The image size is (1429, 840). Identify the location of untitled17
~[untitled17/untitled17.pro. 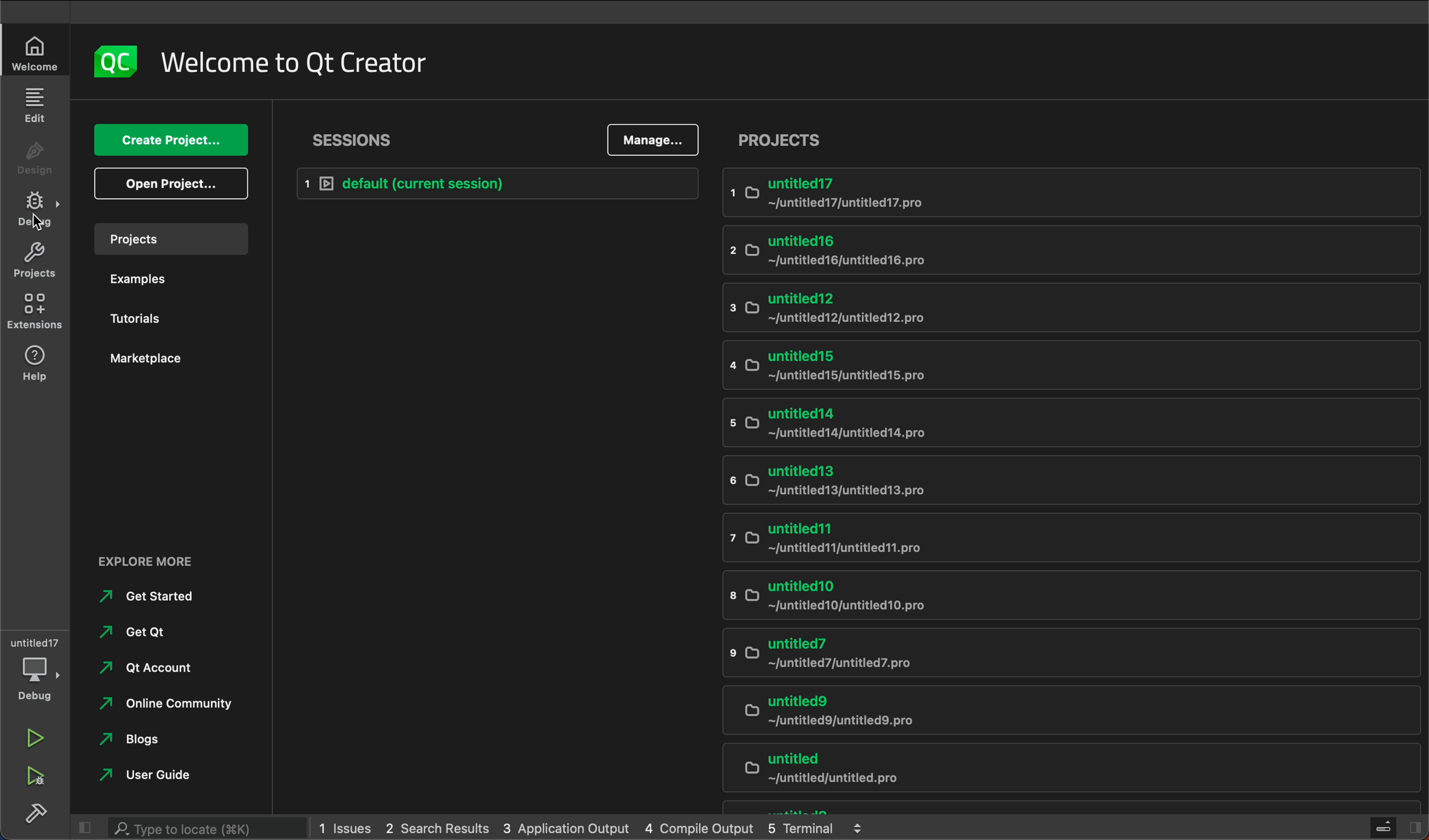
(1070, 193).